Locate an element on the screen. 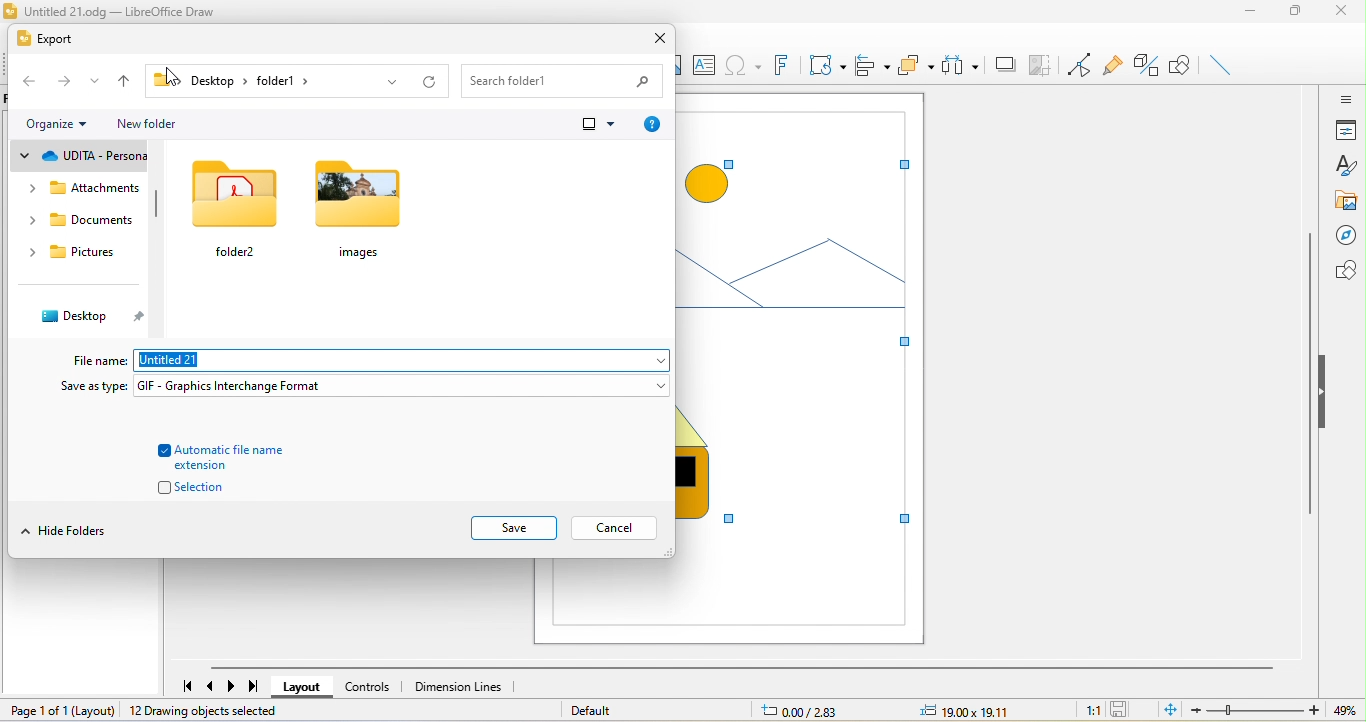 Image resolution: width=1366 pixels, height=722 pixels. show draw functions is located at coordinates (1182, 67).